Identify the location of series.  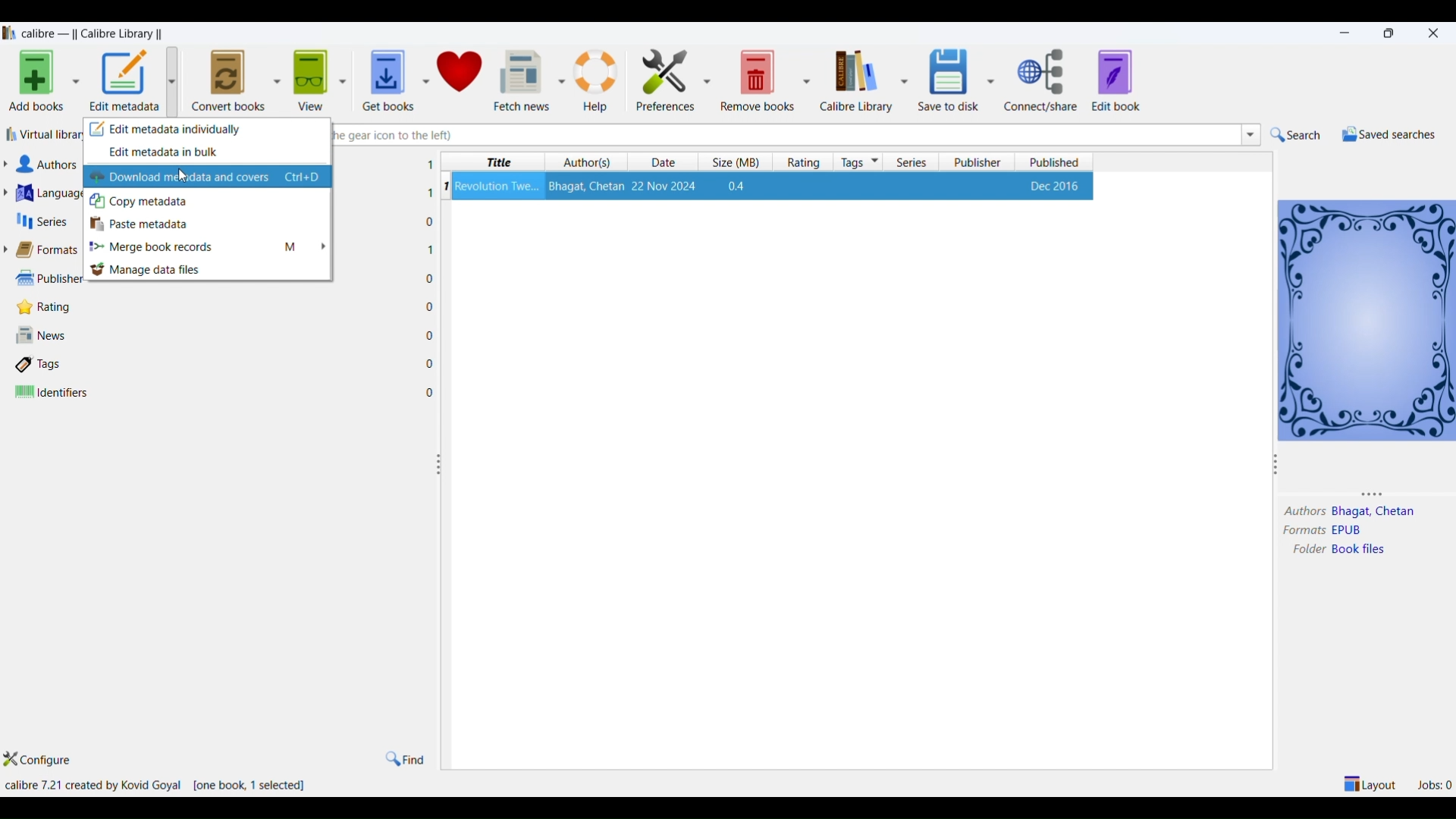
(912, 162).